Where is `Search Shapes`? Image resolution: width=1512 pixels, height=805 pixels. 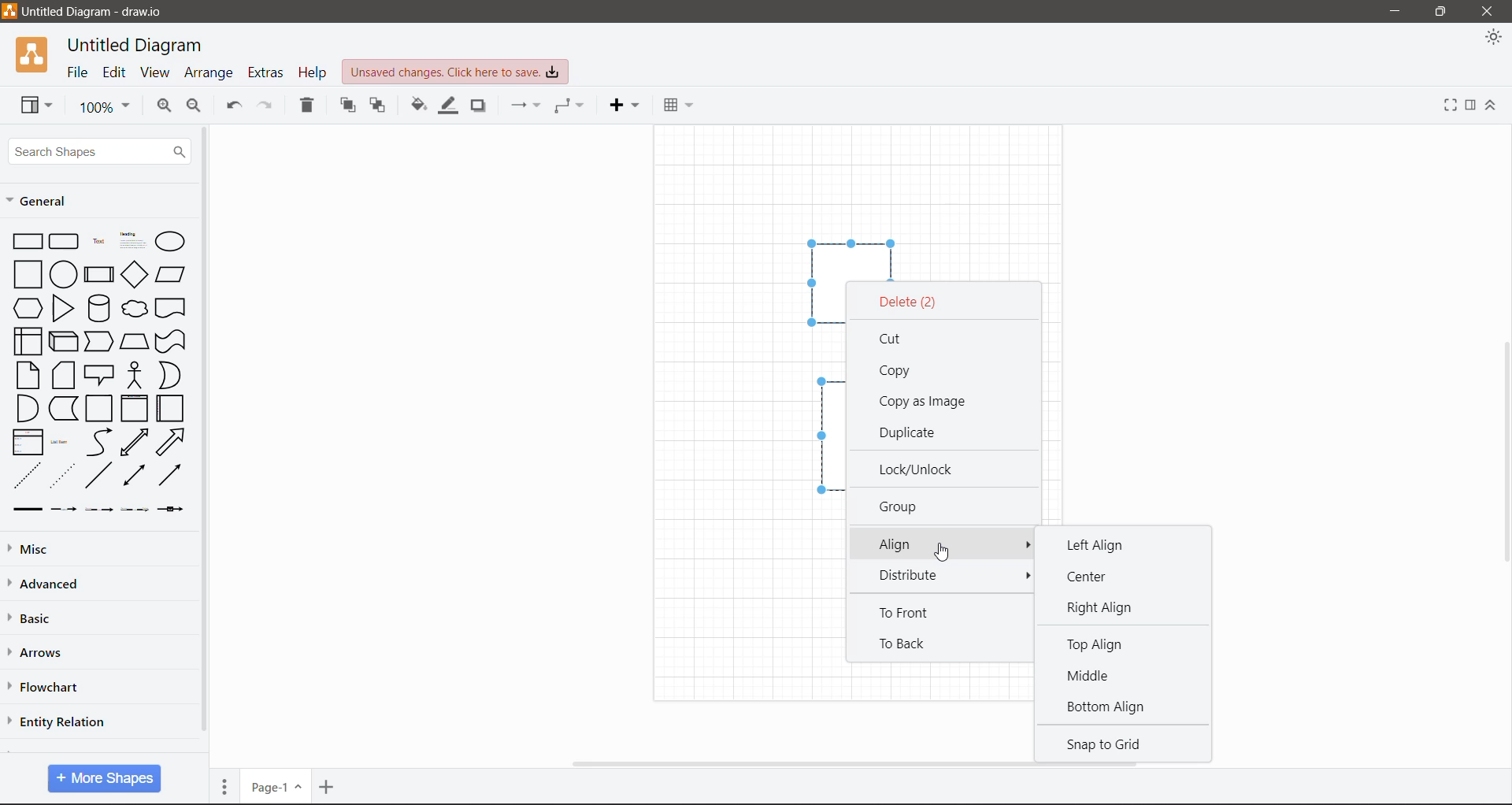 Search Shapes is located at coordinates (98, 150).